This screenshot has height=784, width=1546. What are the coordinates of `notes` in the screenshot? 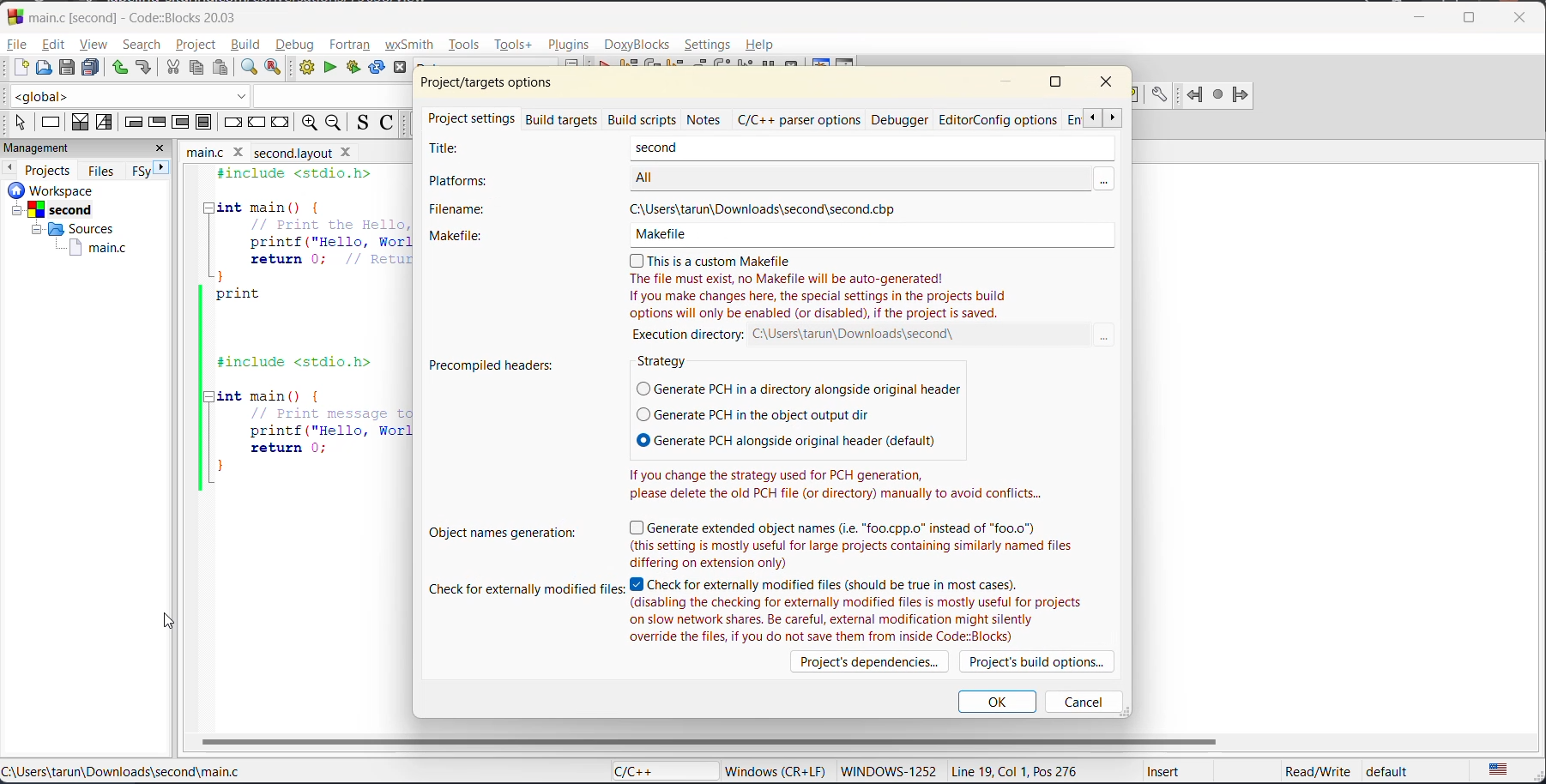 It's located at (704, 122).